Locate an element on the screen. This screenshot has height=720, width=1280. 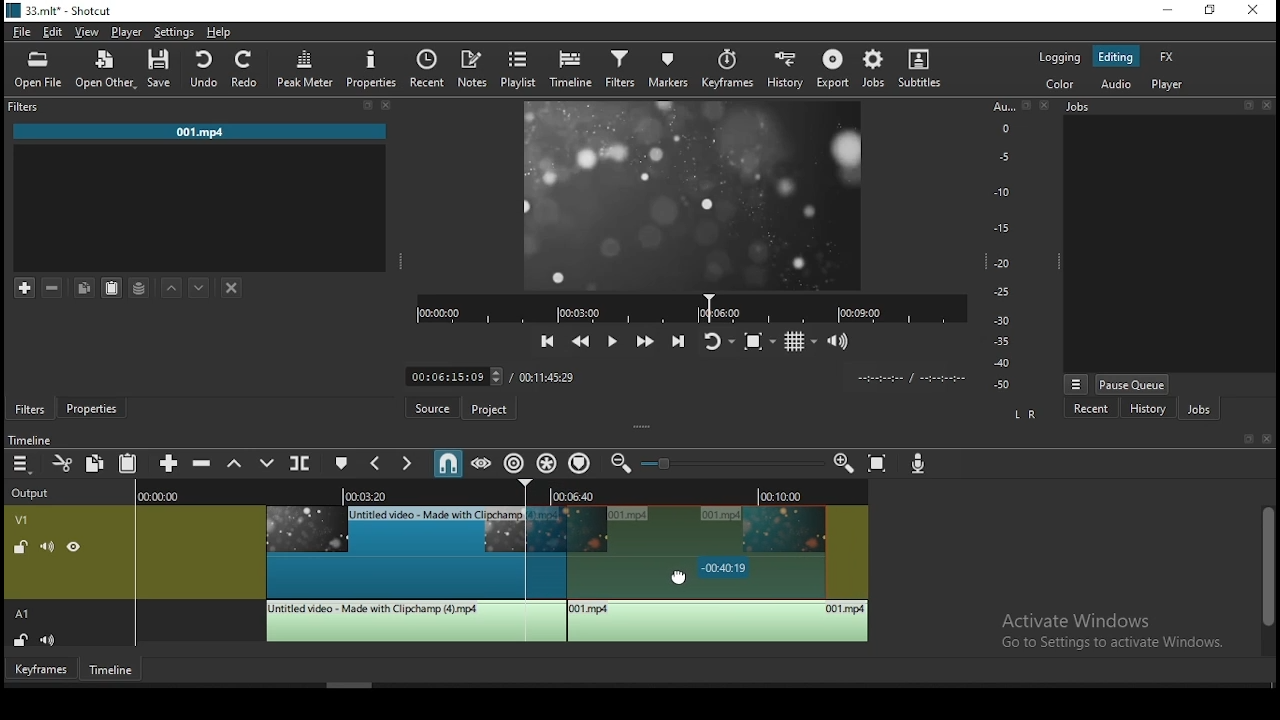
(un)lock is located at coordinates (23, 640).